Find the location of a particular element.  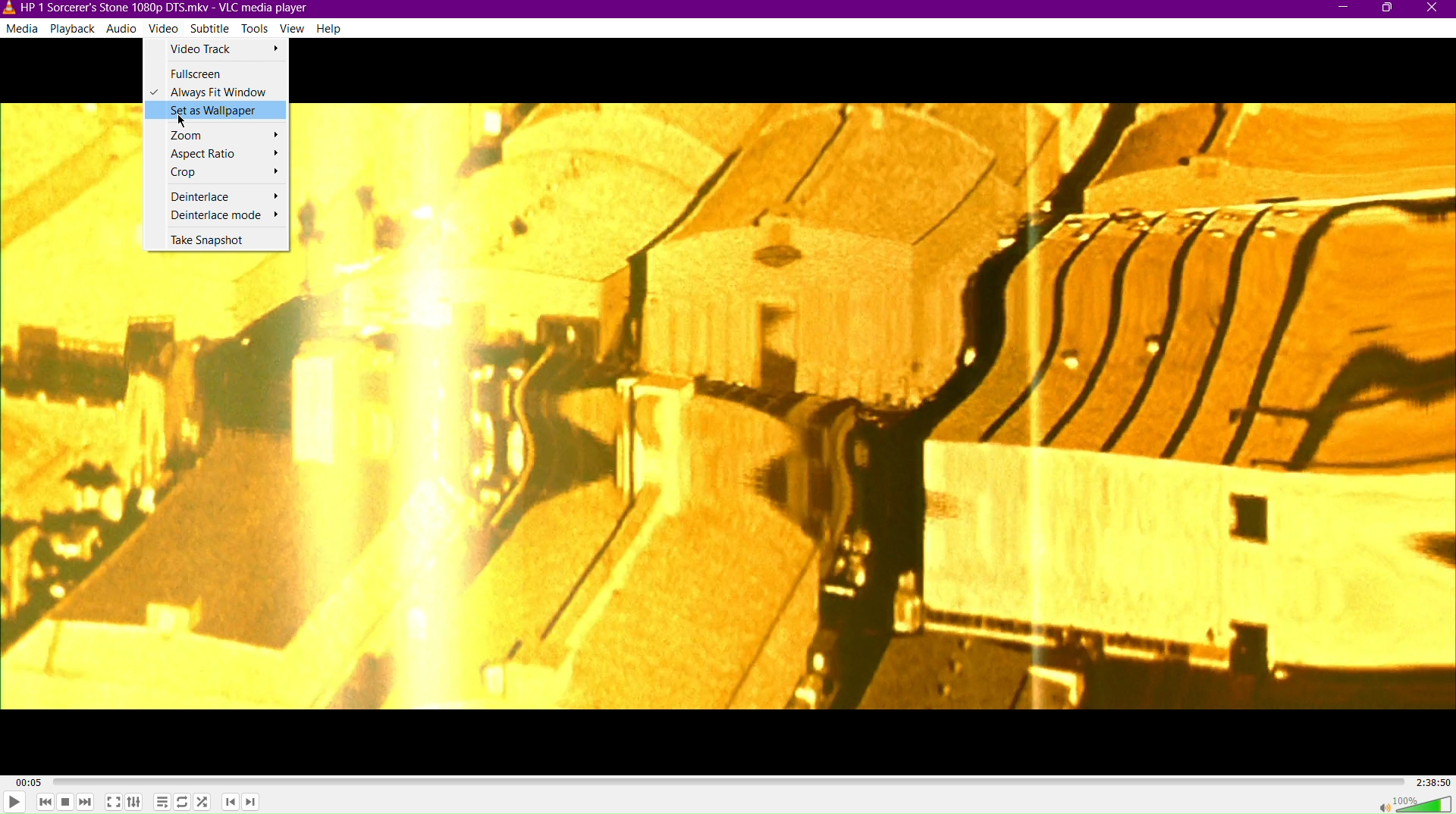

Help is located at coordinates (329, 27).